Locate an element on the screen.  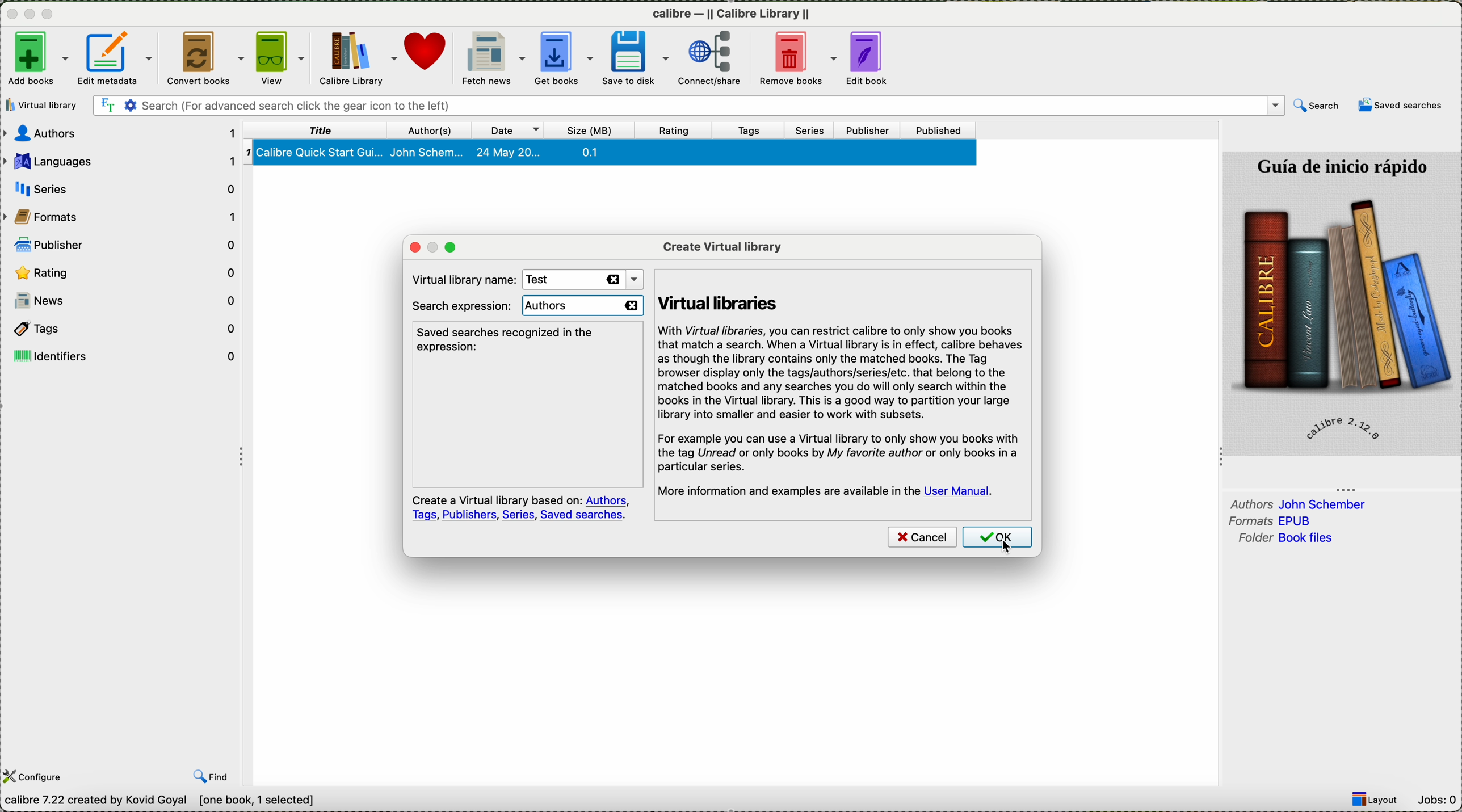
cursor is located at coordinates (1003, 542).